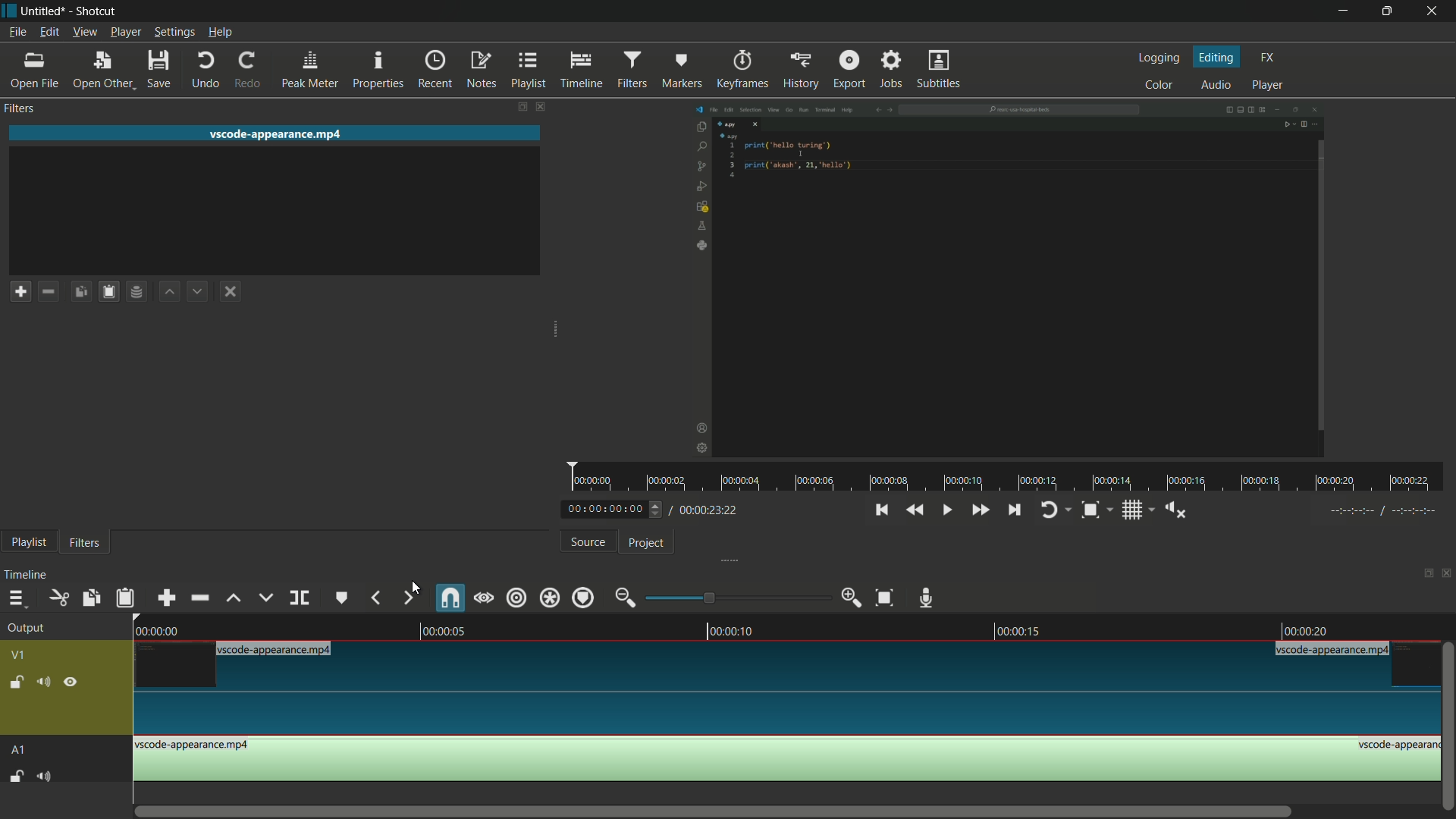 The height and width of the screenshot is (819, 1456). Describe the element at coordinates (607, 510) in the screenshot. I see `current time` at that location.